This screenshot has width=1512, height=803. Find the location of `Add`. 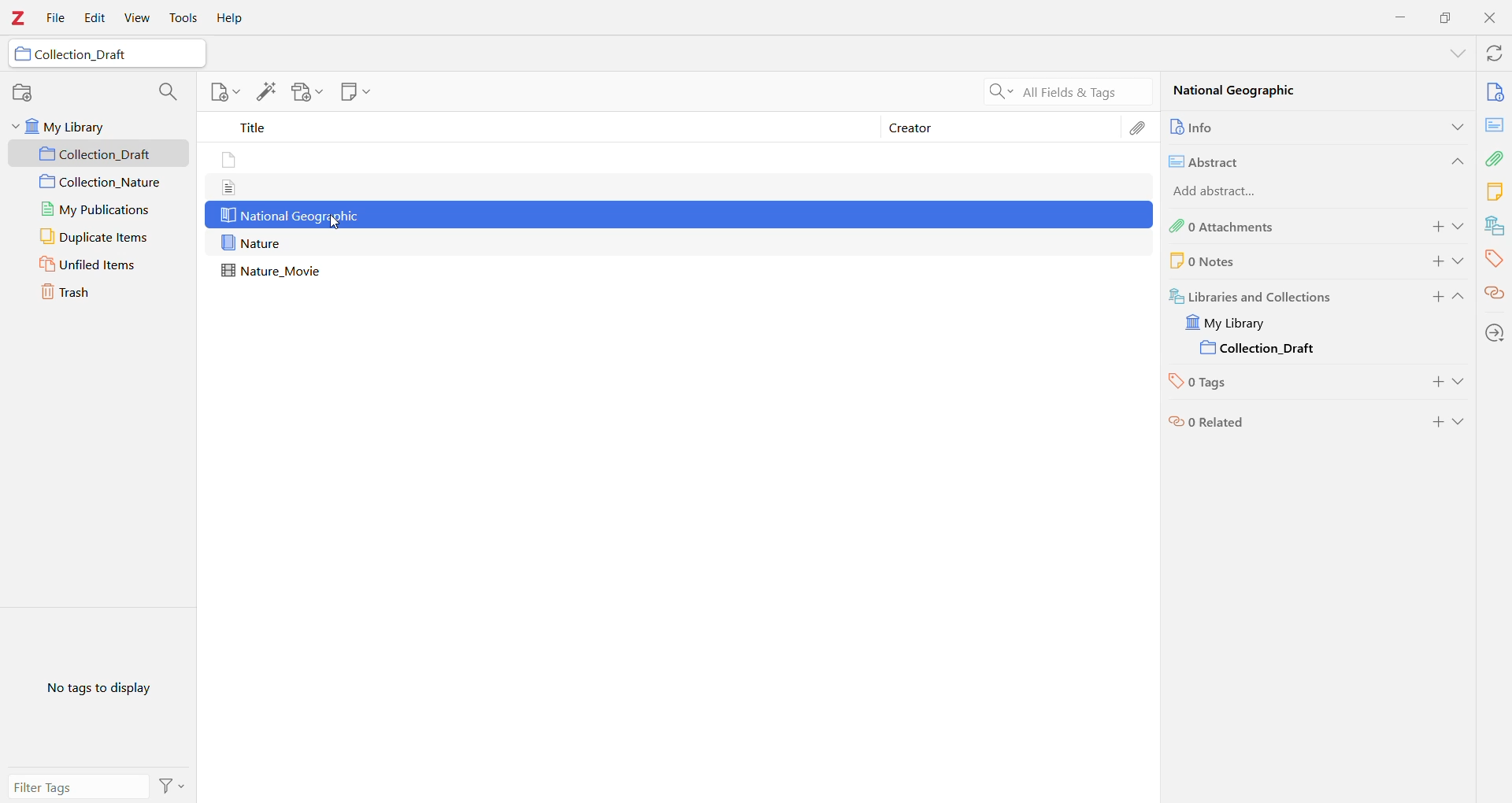

Add is located at coordinates (1436, 384).